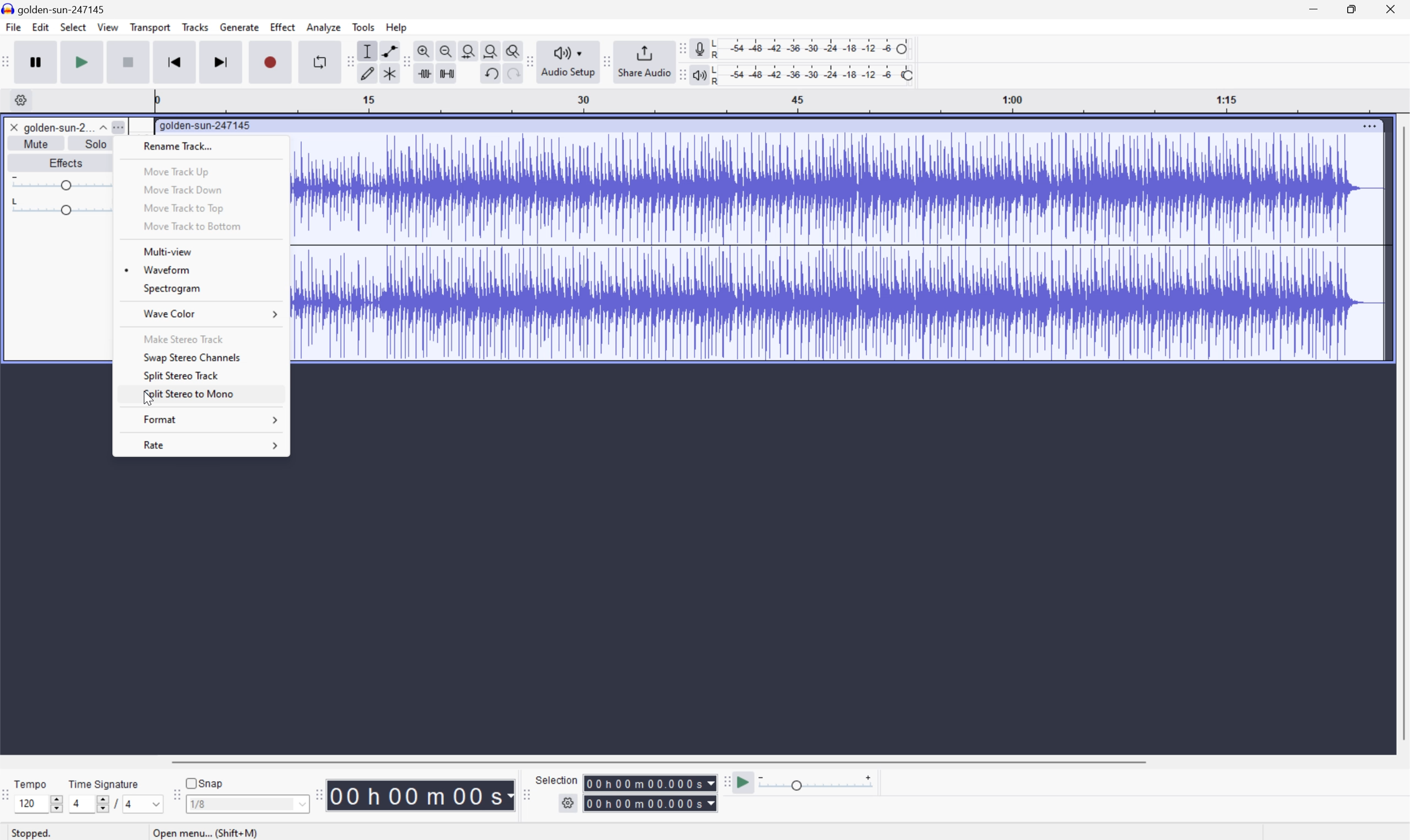  What do you see at coordinates (405, 61) in the screenshot?
I see `Audacity Edit toolbar` at bounding box center [405, 61].